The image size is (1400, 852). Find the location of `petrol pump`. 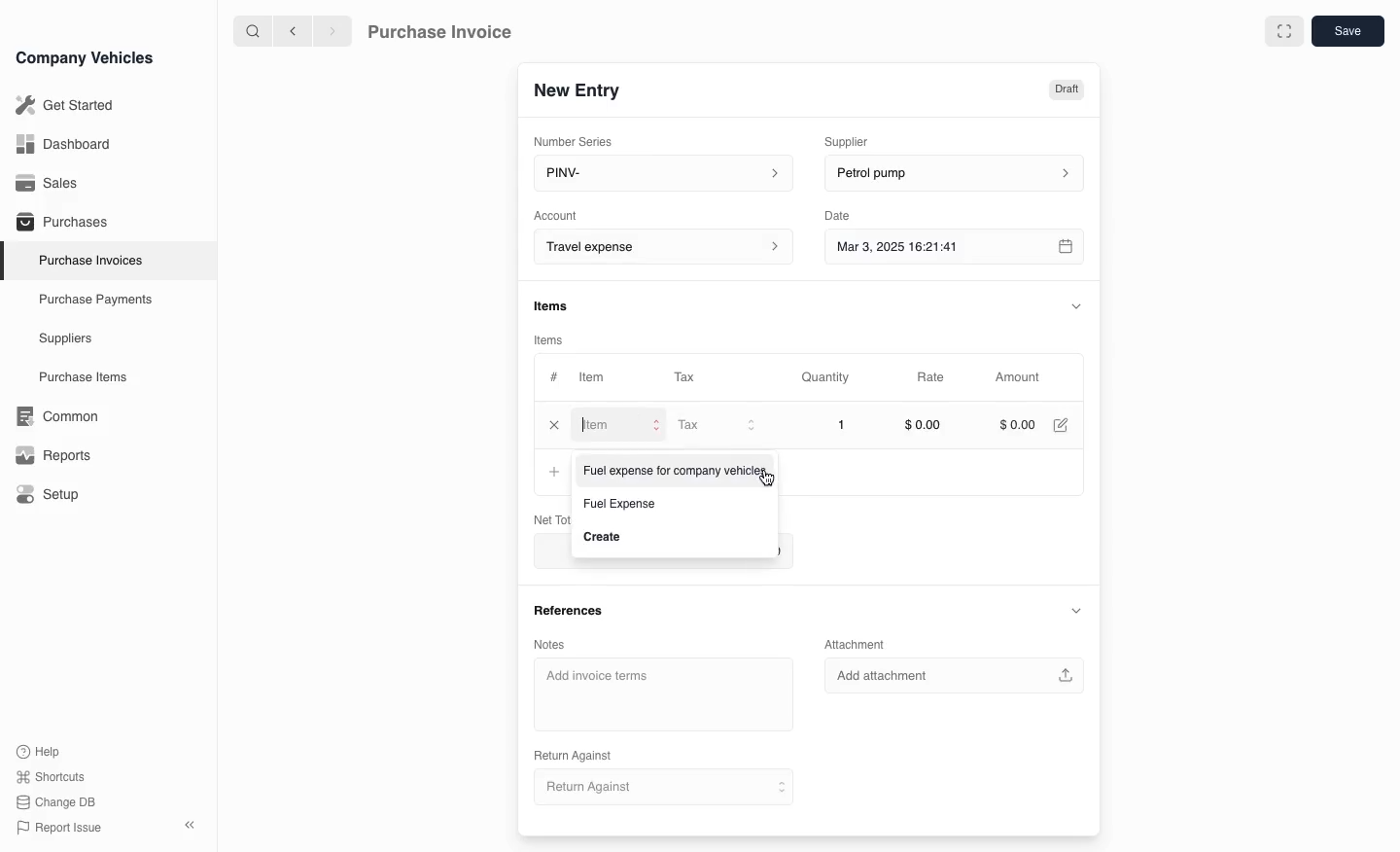

petrol pump is located at coordinates (951, 174).